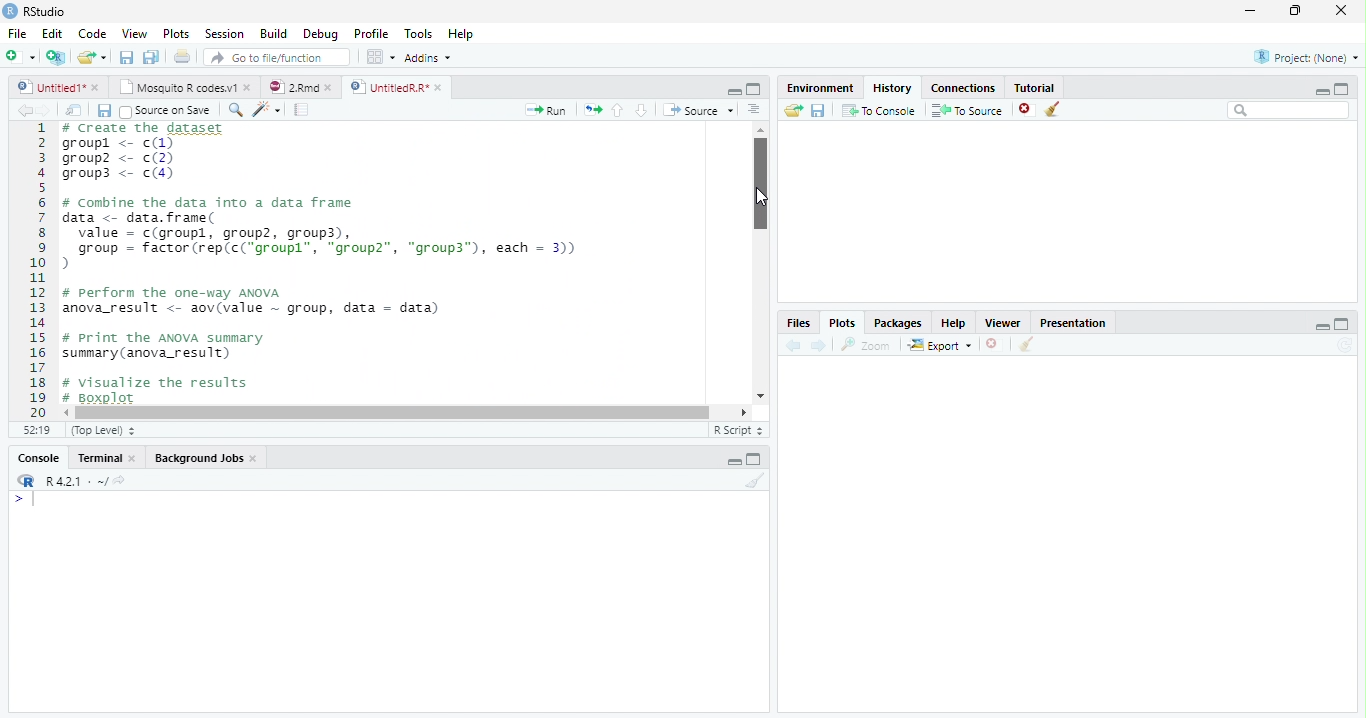  Describe the element at coordinates (128, 58) in the screenshot. I see `Save` at that location.